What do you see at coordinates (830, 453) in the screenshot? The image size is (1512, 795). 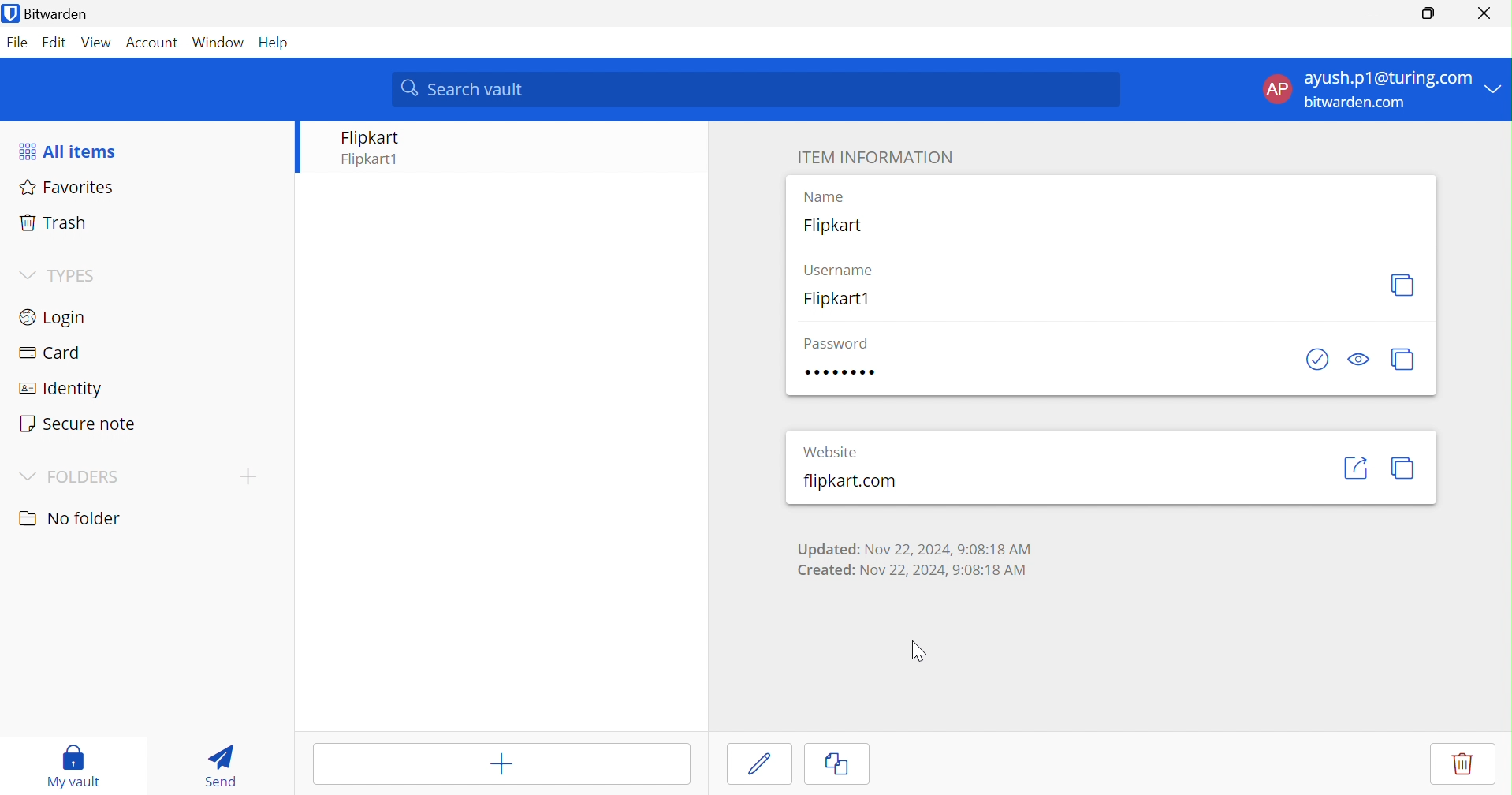 I see `Website` at bounding box center [830, 453].